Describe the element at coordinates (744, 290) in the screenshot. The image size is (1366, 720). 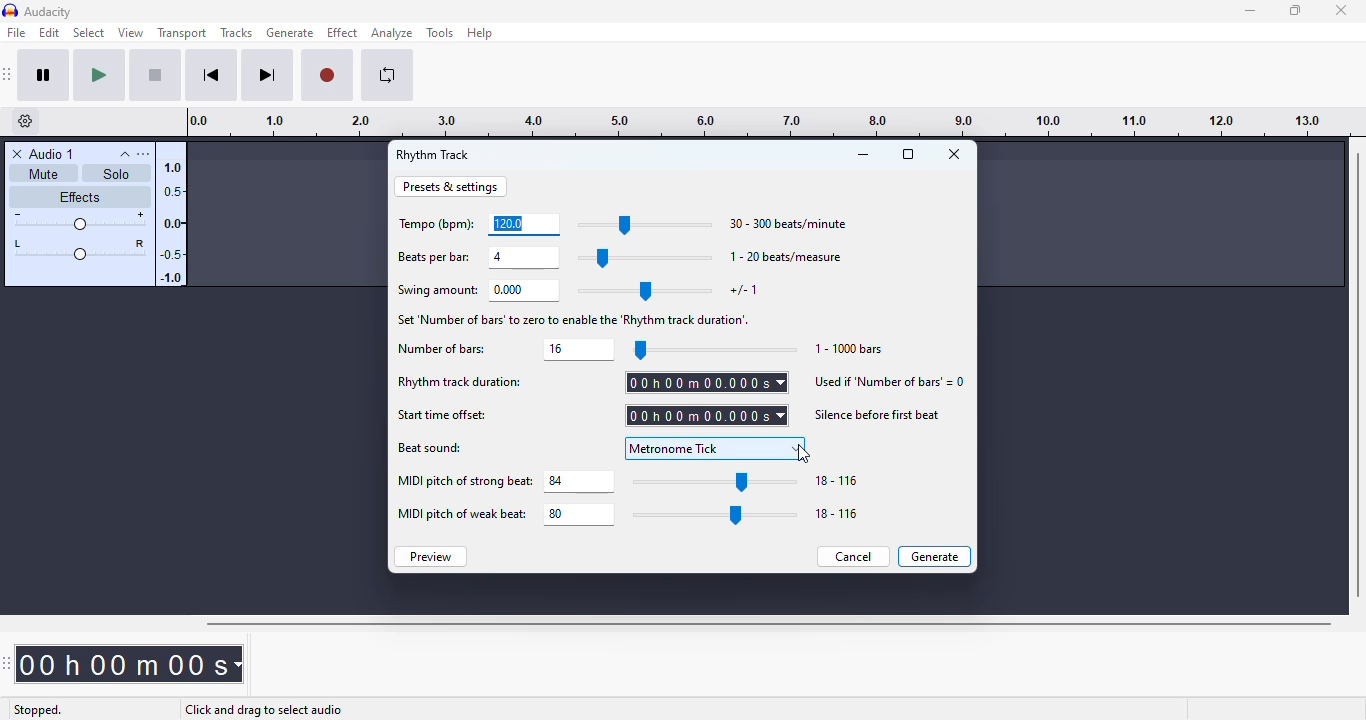
I see `+/- 1` at that location.